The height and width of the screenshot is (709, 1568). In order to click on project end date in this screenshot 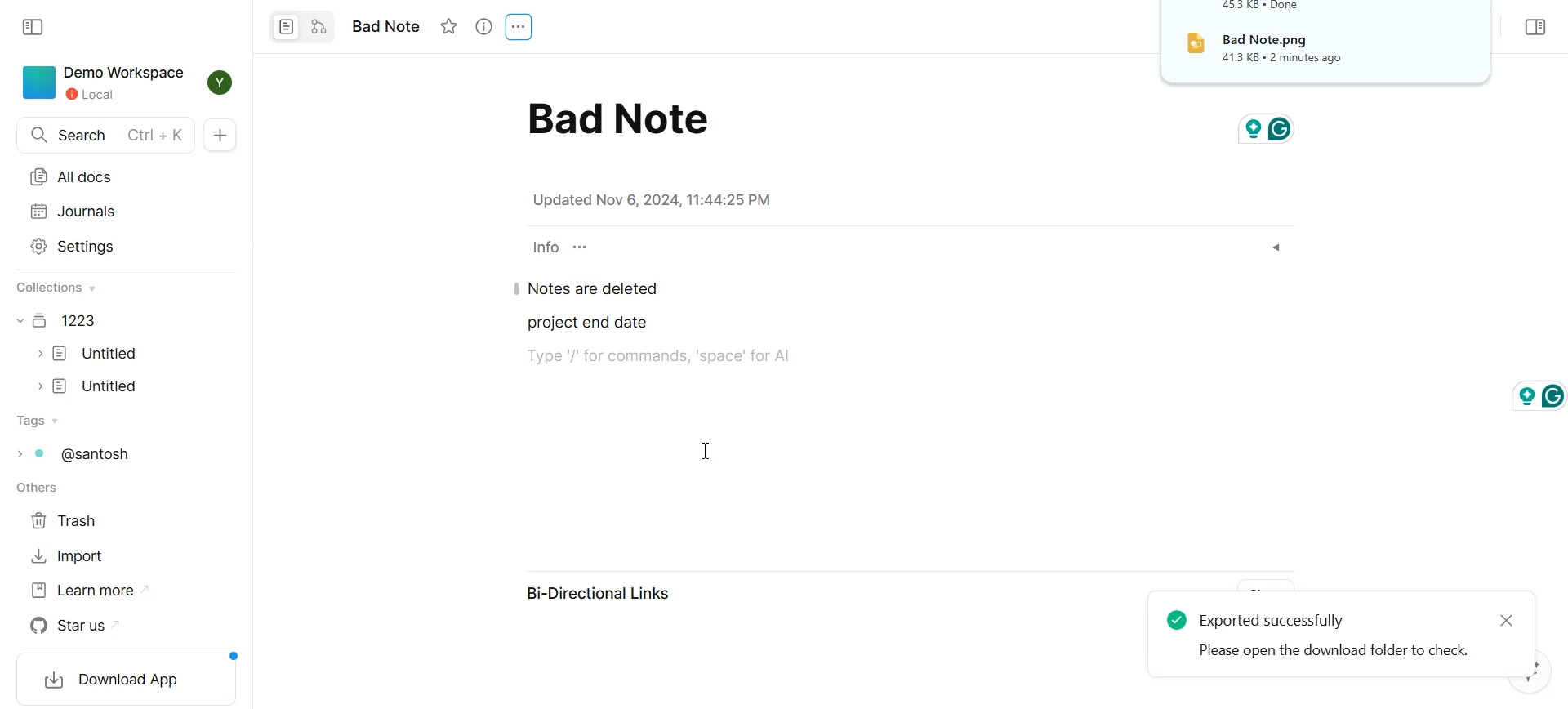, I will do `click(586, 323)`.